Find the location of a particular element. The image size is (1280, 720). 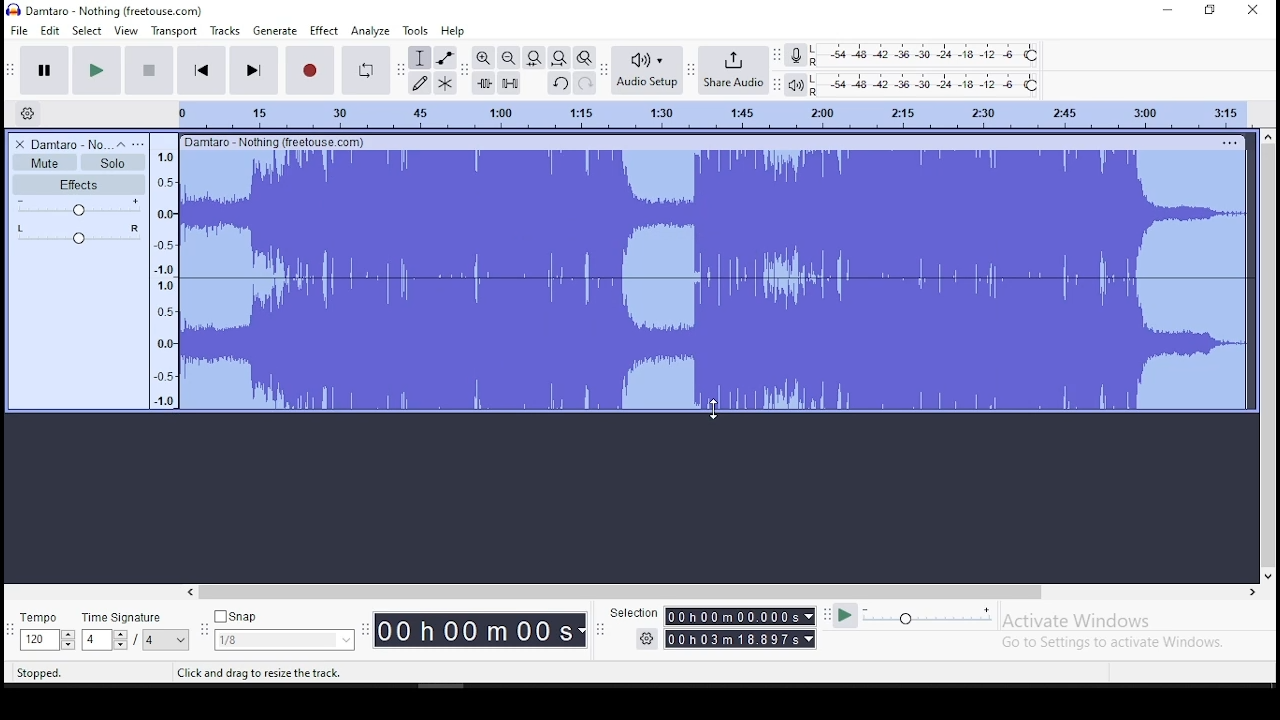

collapse is located at coordinates (123, 143).